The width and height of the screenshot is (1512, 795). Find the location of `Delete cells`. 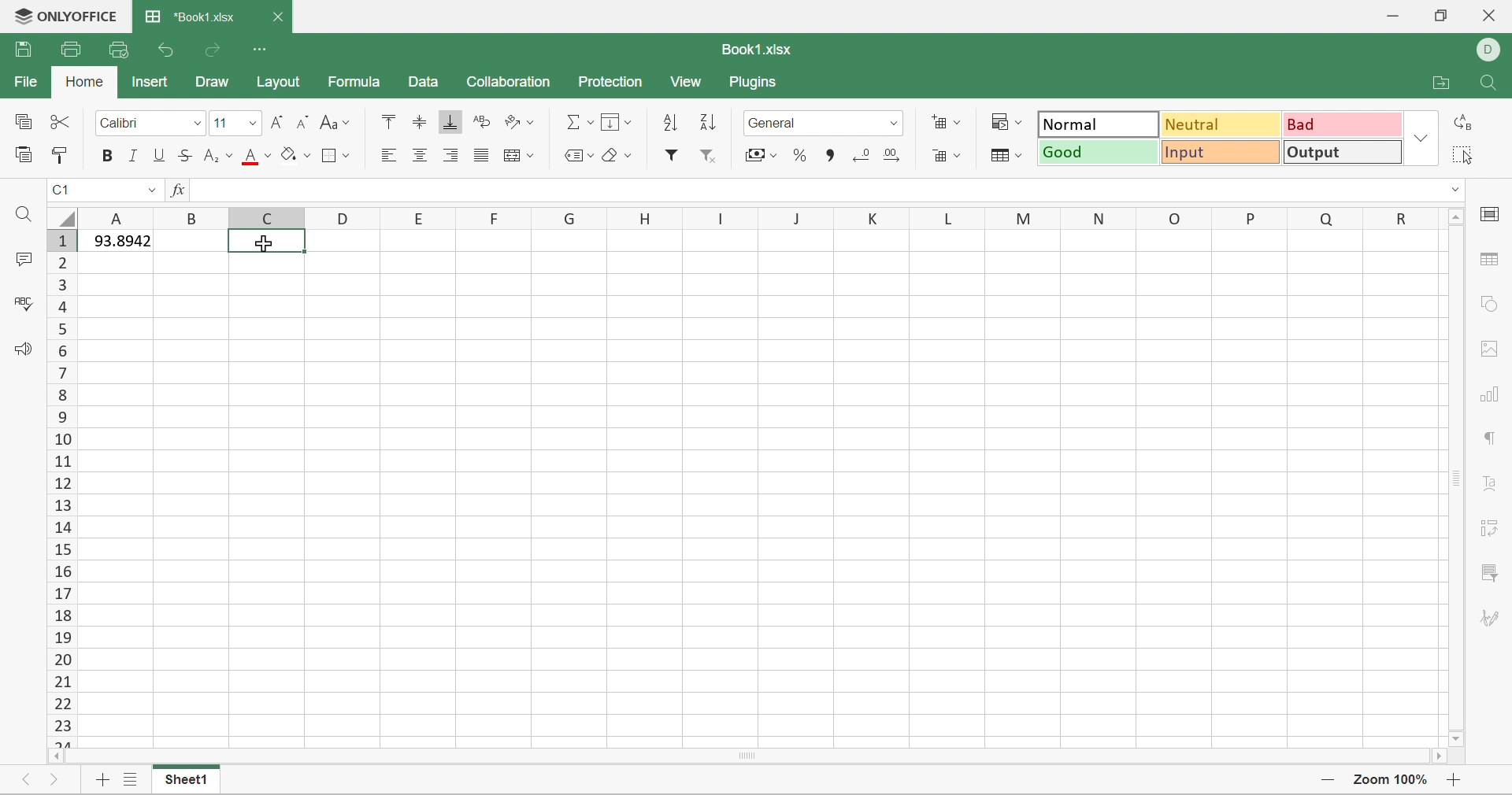

Delete cells is located at coordinates (946, 153).